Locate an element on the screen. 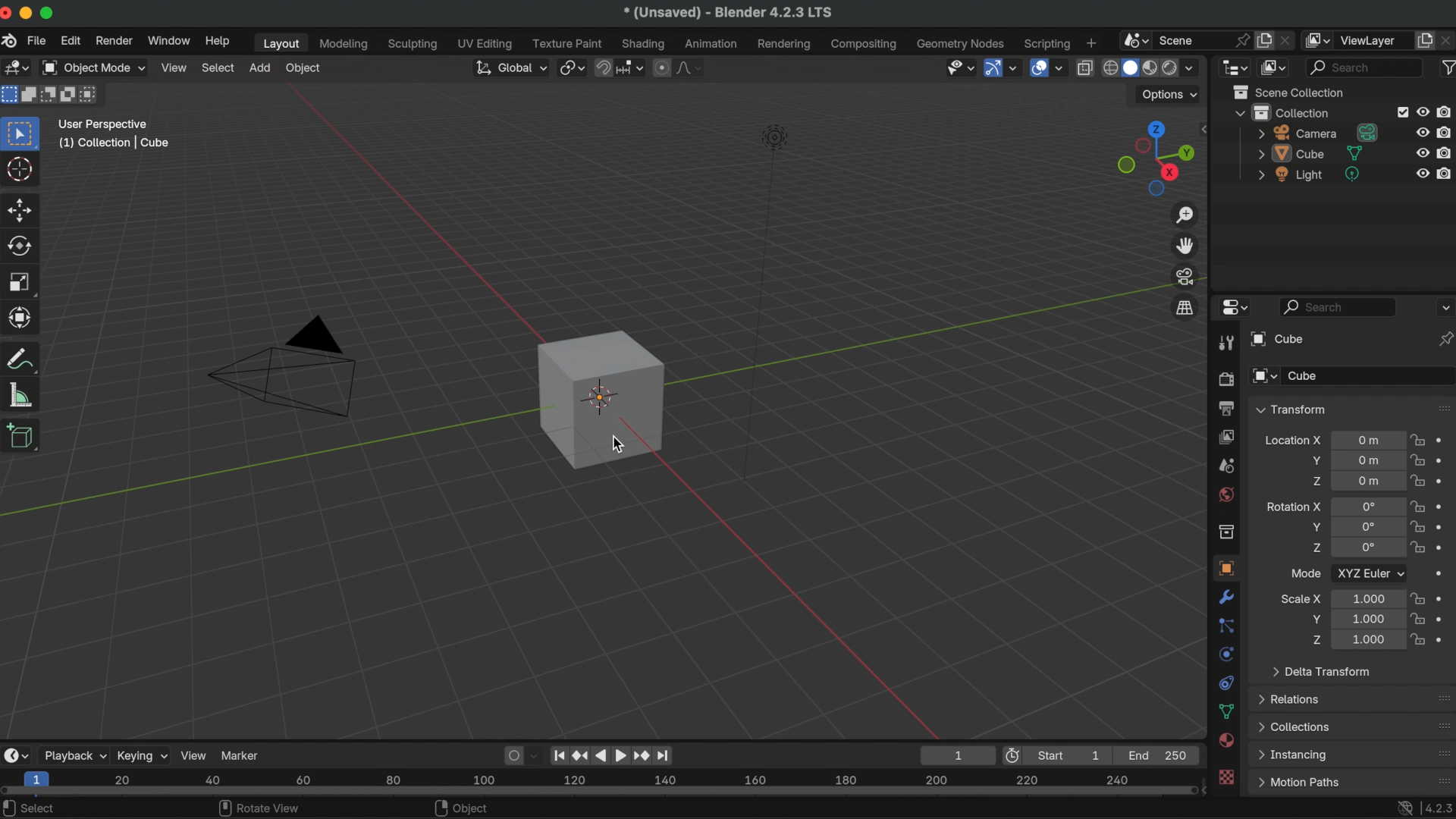  XYZ Euler is located at coordinates (1370, 573).